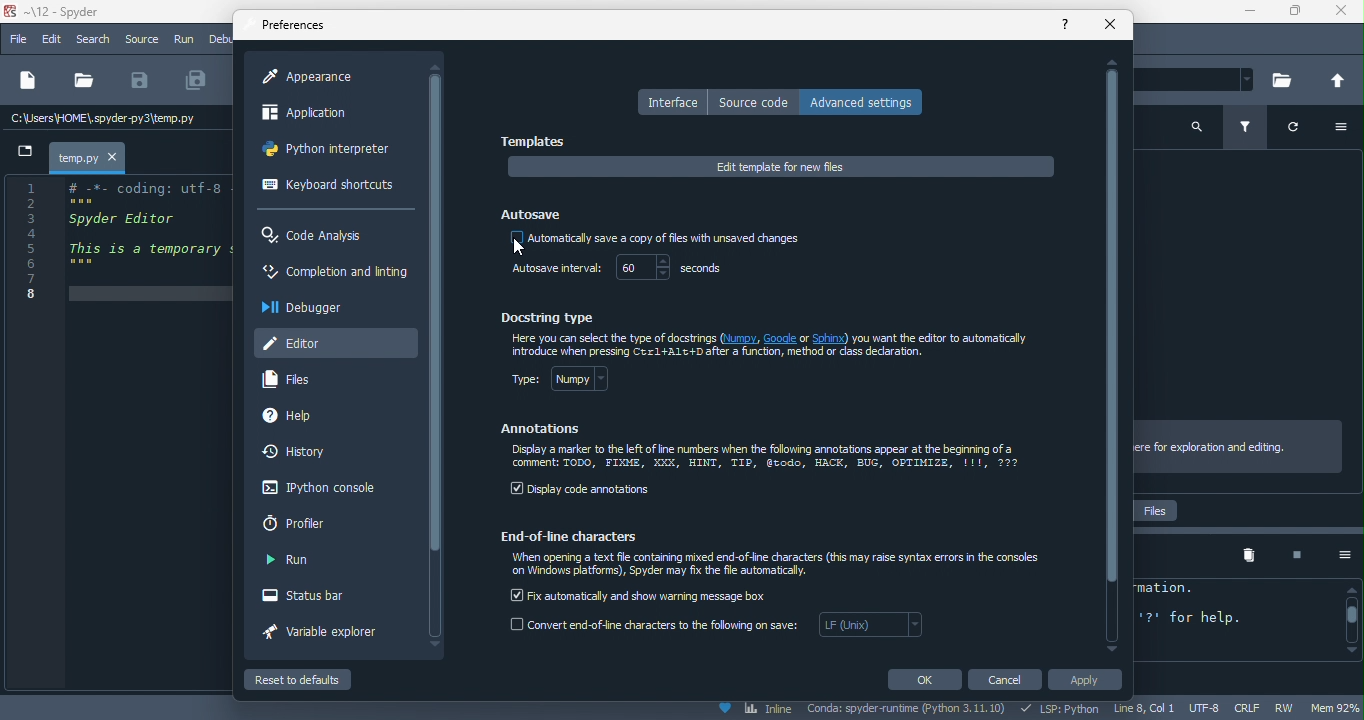 This screenshot has width=1364, height=720. Describe the element at coordinates (641, 594) in the screenshot. I see `fix automatically and show warming message box` at that location.